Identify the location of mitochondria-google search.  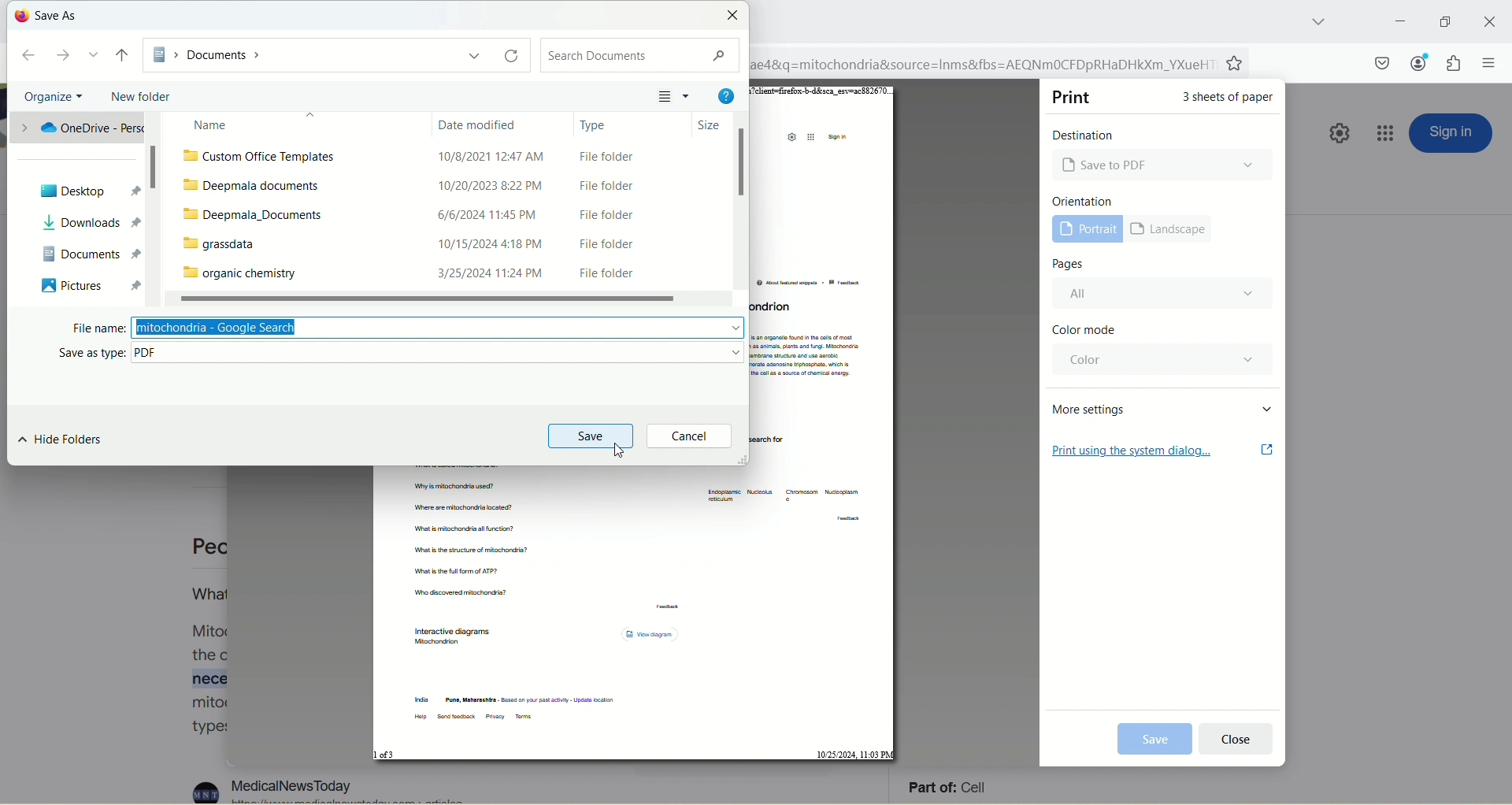
(438, 328).